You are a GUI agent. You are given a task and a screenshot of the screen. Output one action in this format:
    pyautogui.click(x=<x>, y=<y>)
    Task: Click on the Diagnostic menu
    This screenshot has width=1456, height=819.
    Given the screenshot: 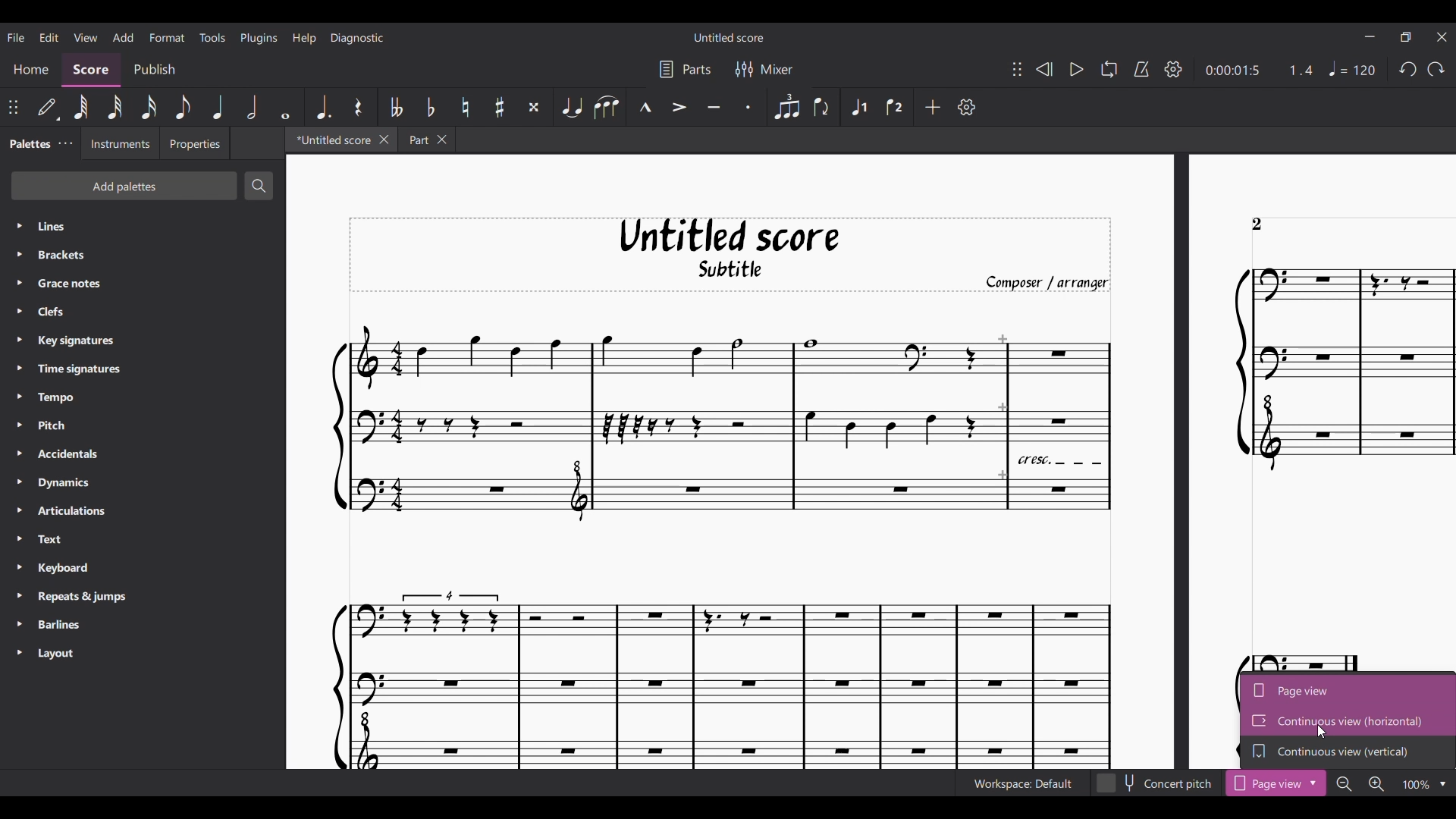 What is the action you would take?
    pyautogui.click(x=357, y=39)
    